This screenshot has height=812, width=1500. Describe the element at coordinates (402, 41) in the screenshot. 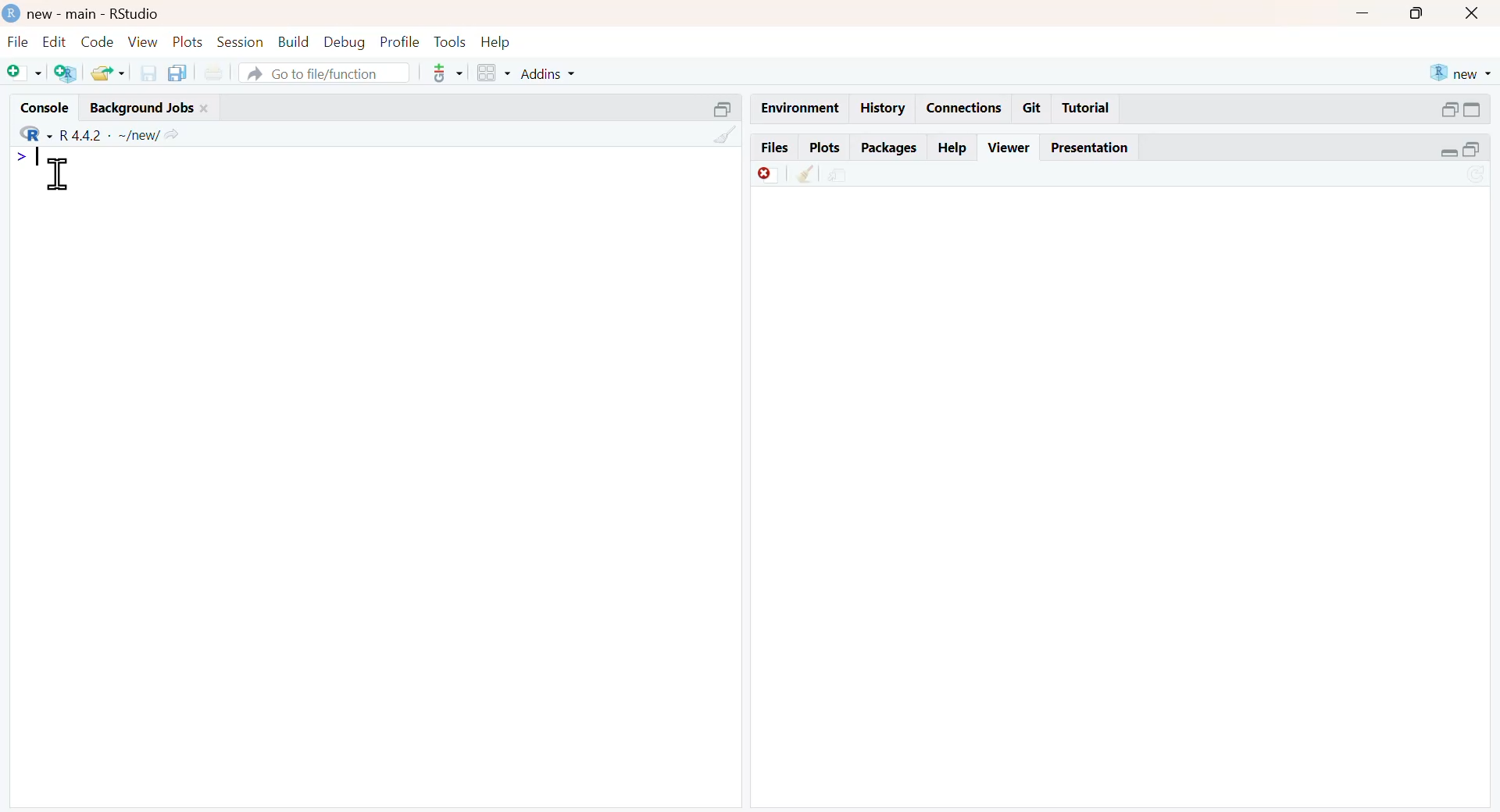

I see `profile` at that location.